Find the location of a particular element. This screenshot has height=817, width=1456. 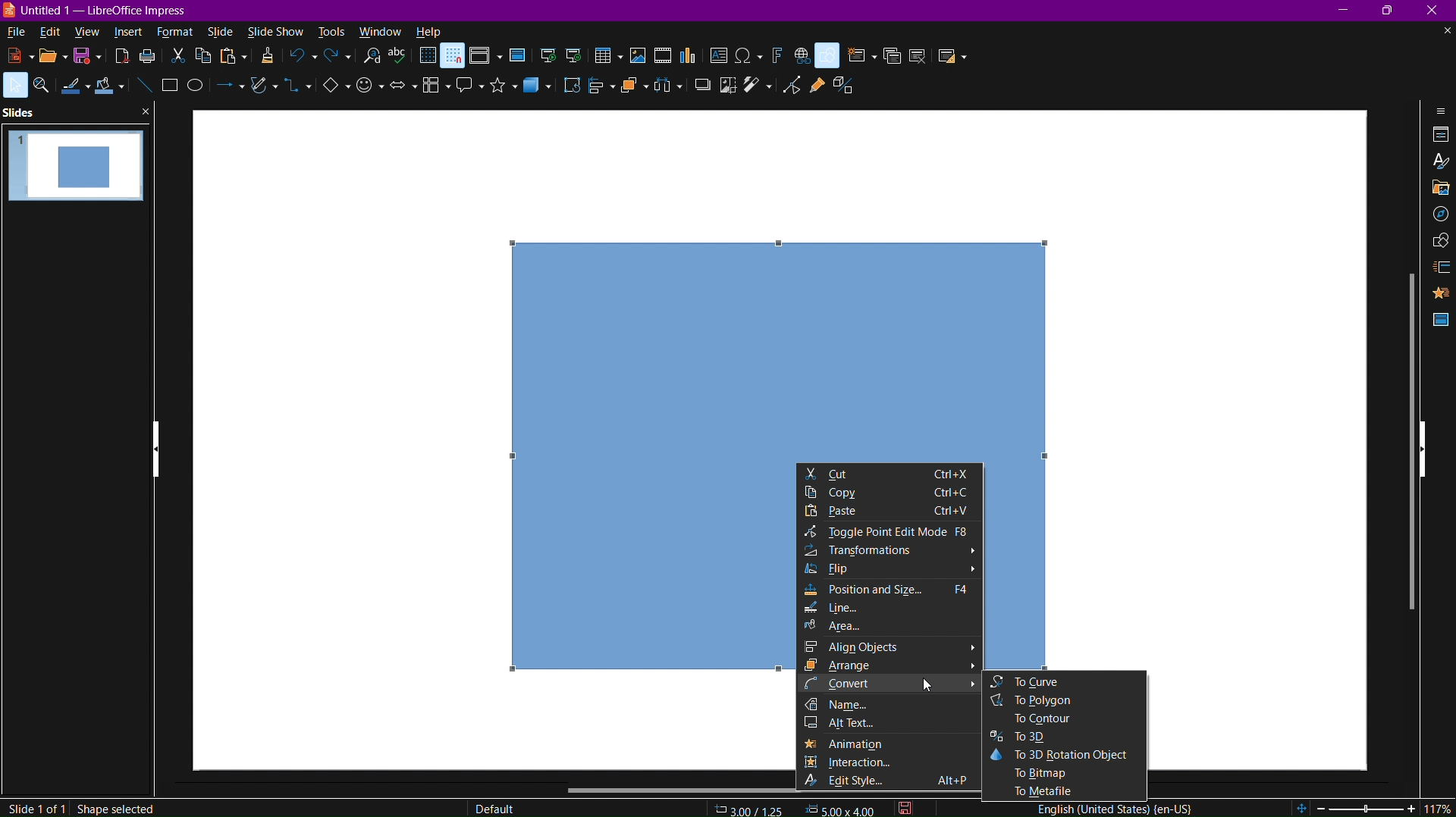

Flip is located at coordinates (890, 571).